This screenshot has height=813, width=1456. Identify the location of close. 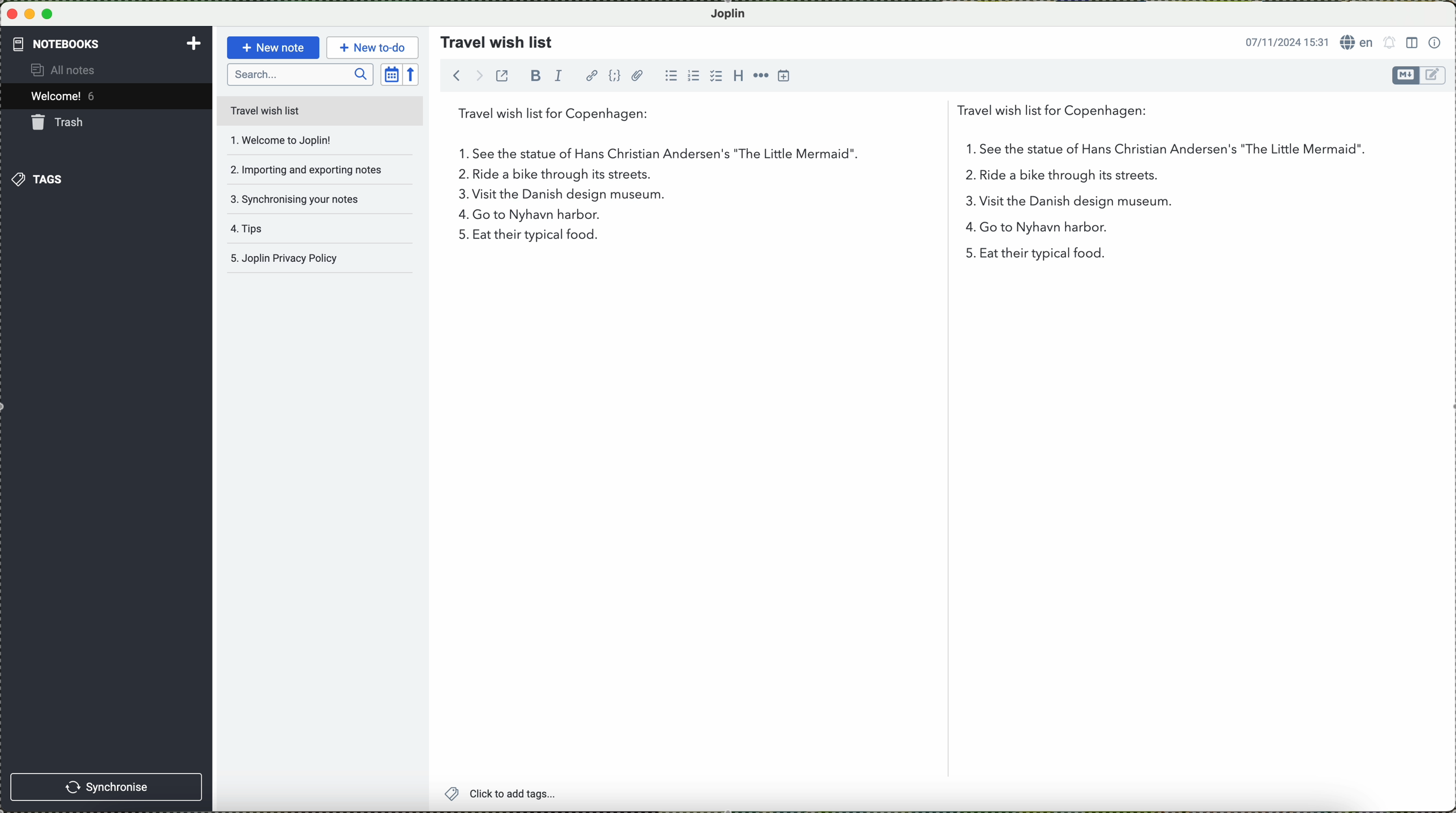
(11, 15).